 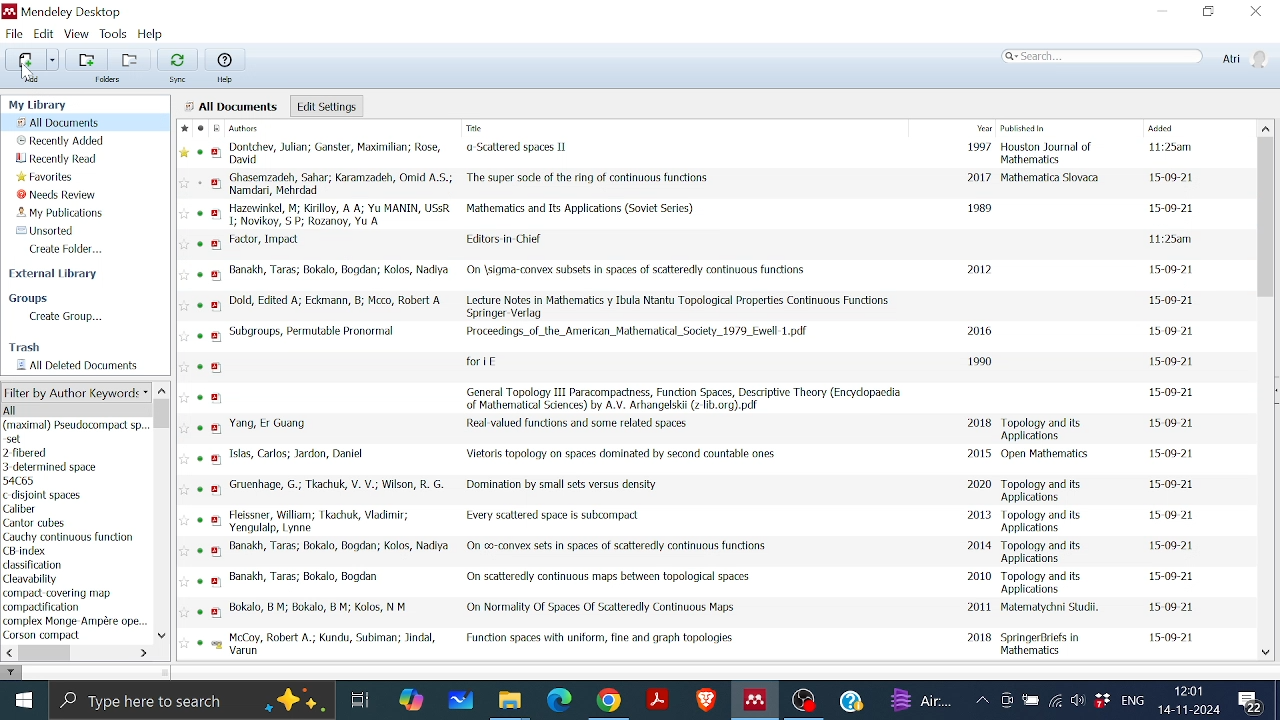 What do you see at coordinates (202, 643) in the screenshot?
I see `read status` at bounding box center [202, 643].